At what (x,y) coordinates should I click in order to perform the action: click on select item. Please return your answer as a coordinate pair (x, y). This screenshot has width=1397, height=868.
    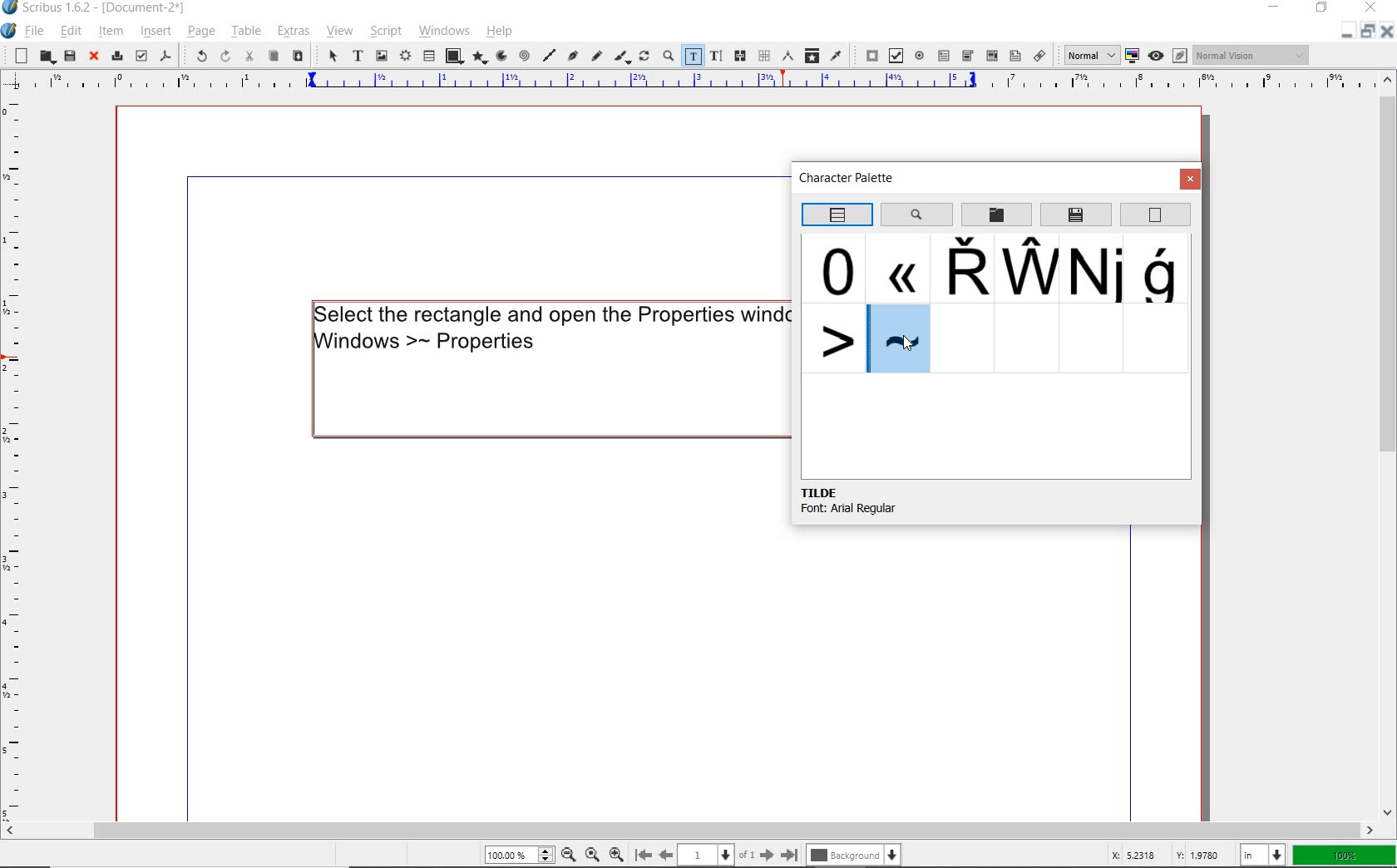
    Looking at the image, I should click on (332, 57).